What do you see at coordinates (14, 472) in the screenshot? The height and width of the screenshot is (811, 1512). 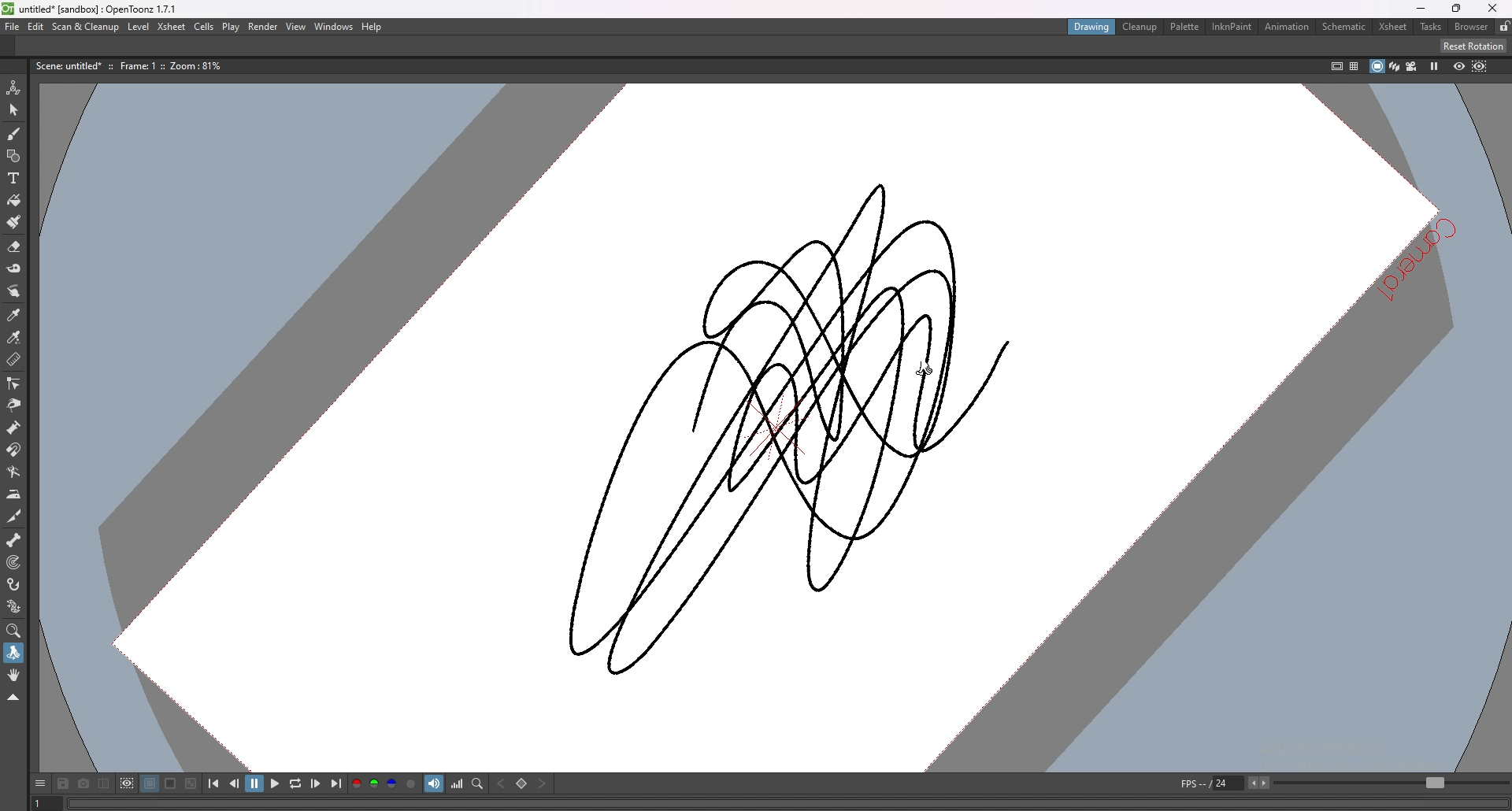 I see `bender` at bounding box center [14, 472].